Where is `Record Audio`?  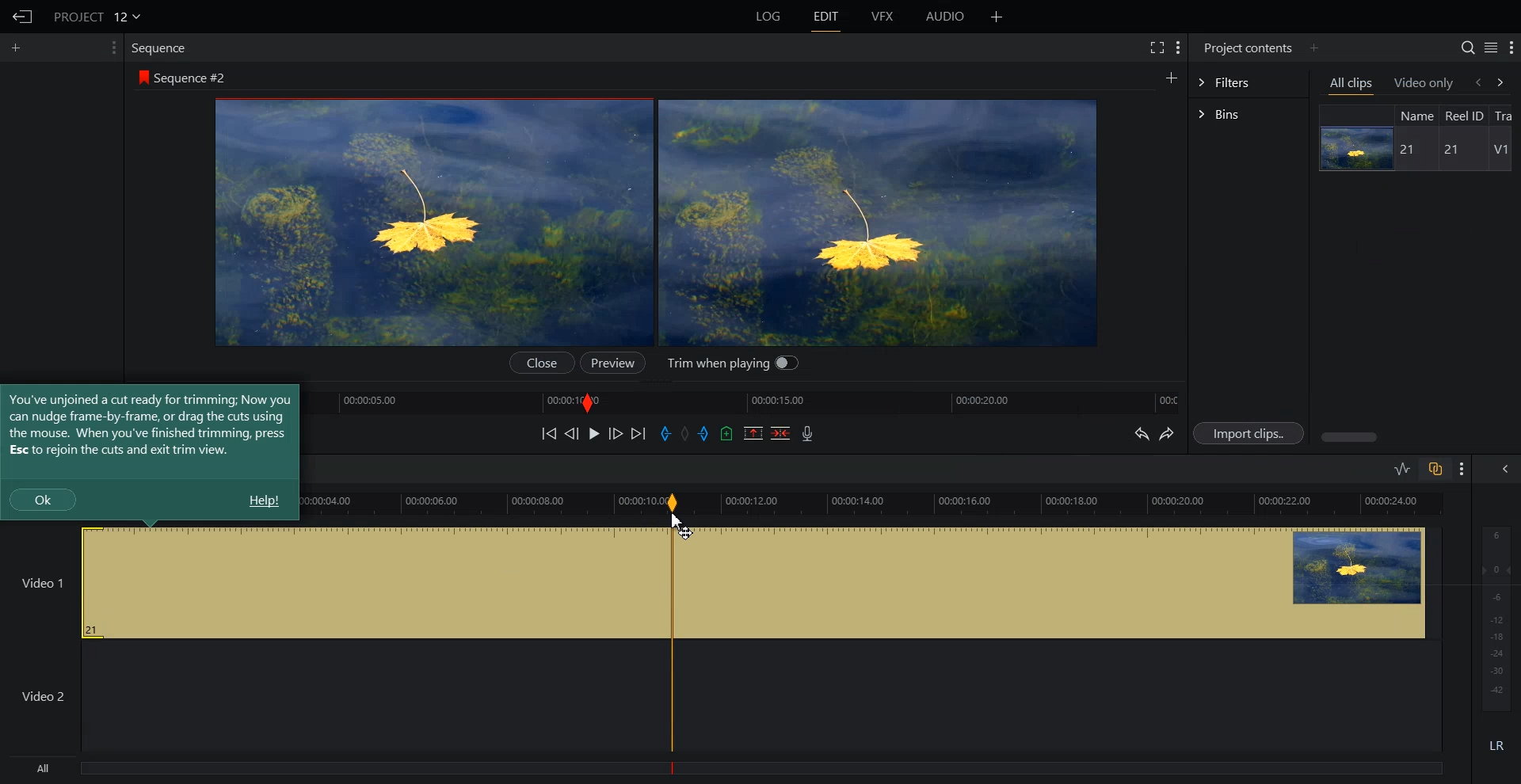
Record Audio is located at coordinates (808, 433).